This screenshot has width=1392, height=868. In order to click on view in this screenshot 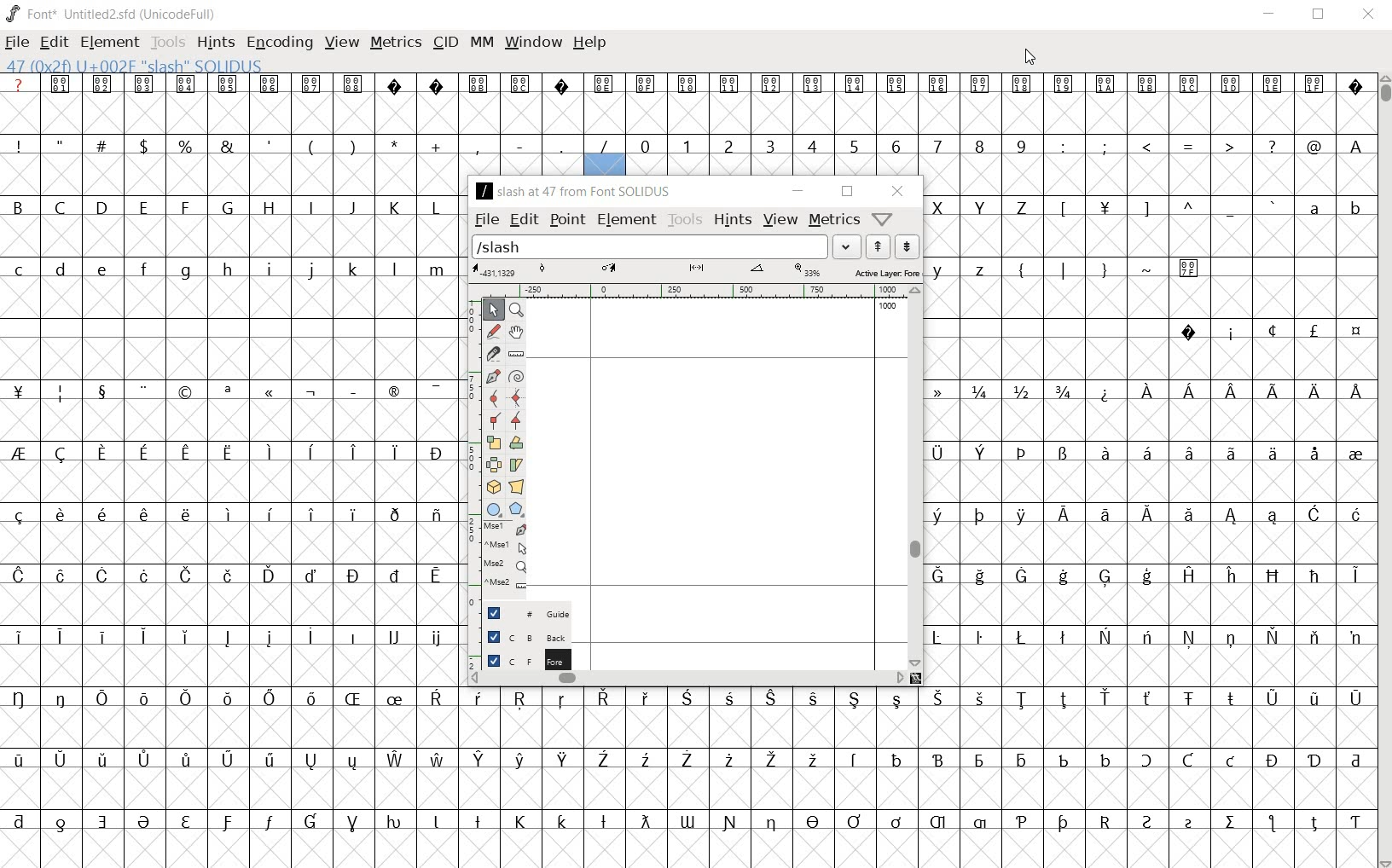, I will do `click(781, 221)`.